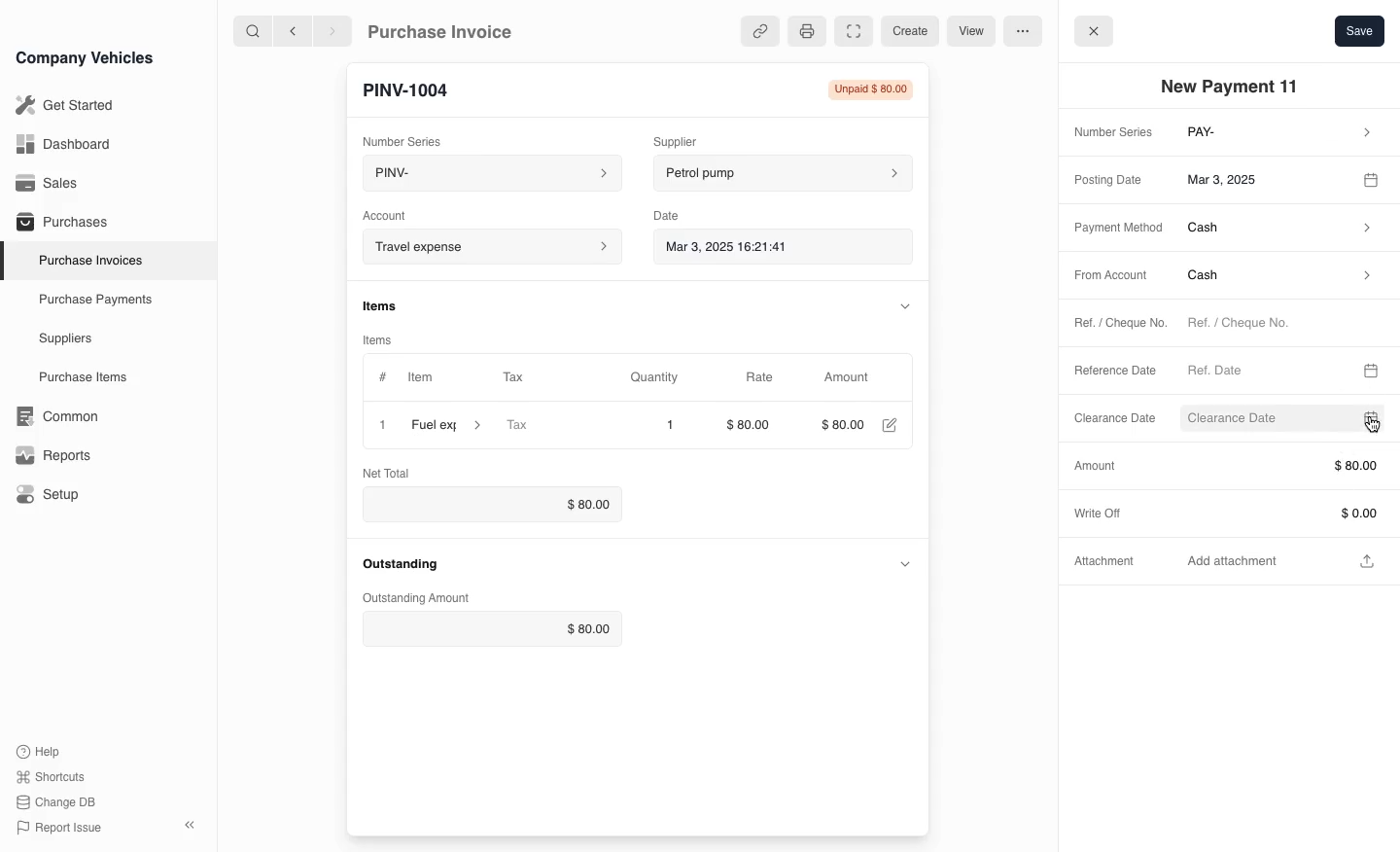  Describe the element at coordinates (62, 144) in the screenshot. I see `Dashboard` at that location.